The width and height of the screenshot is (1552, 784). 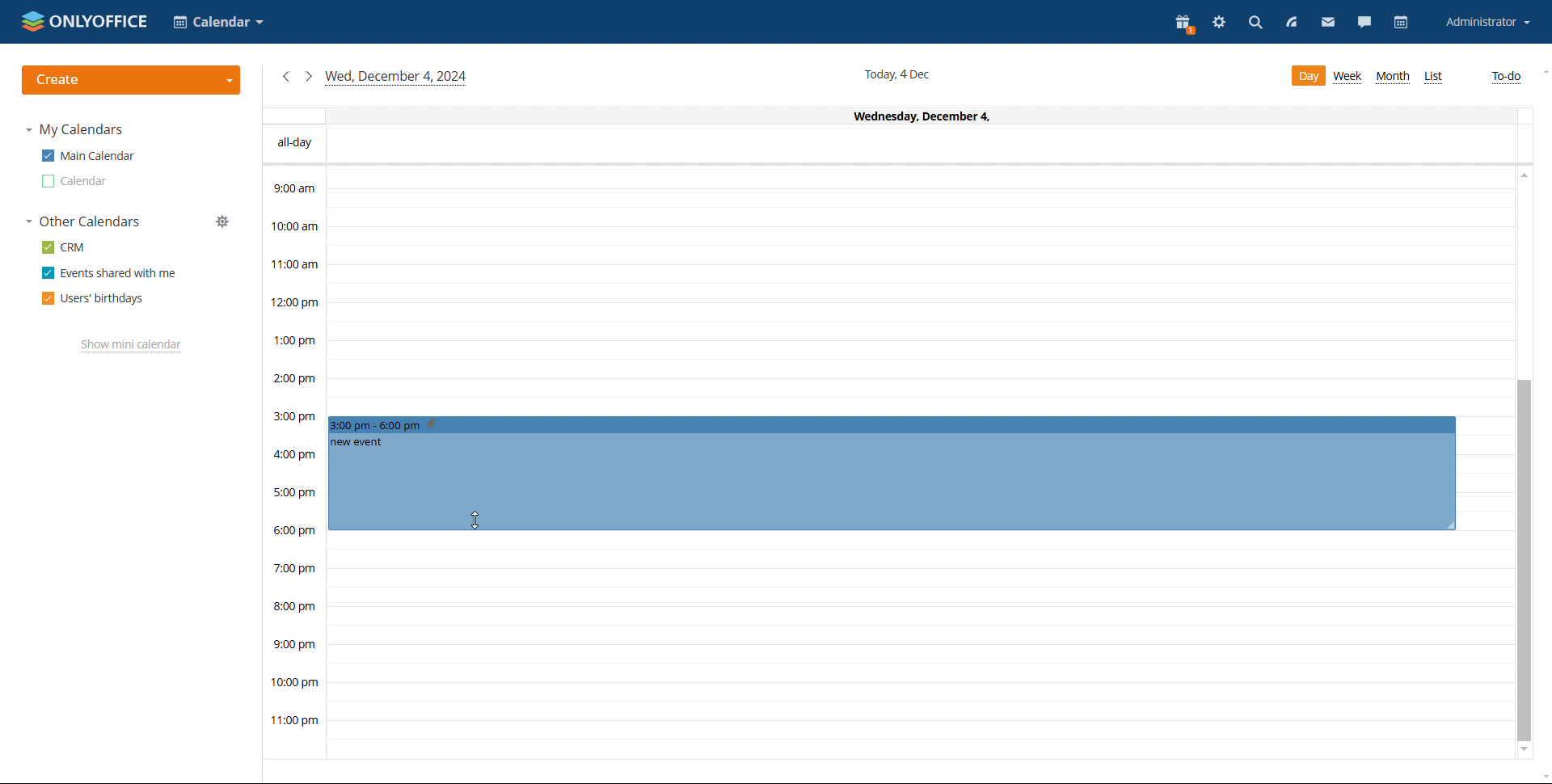 I want to click on users' birthdays, so click(x=93, y=298).